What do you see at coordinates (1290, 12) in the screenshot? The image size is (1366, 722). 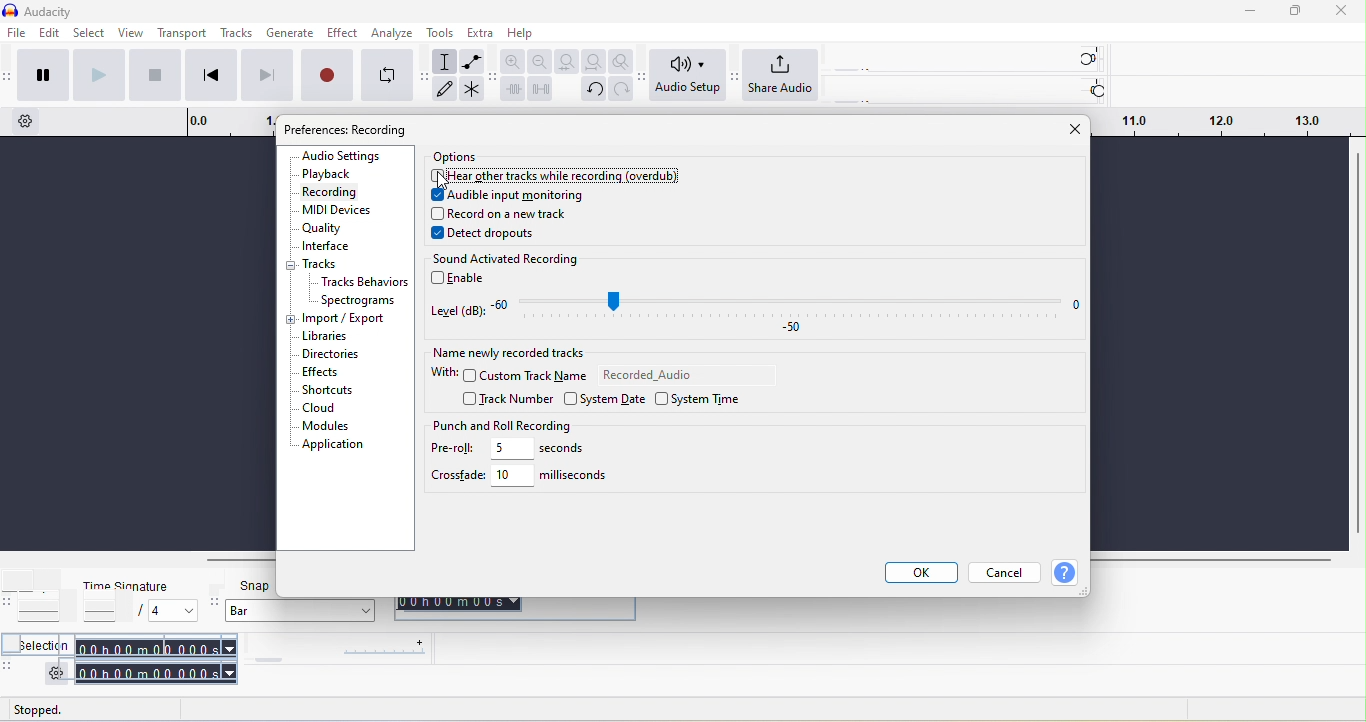 I see `maximize` at bounding box center [1290, 12].